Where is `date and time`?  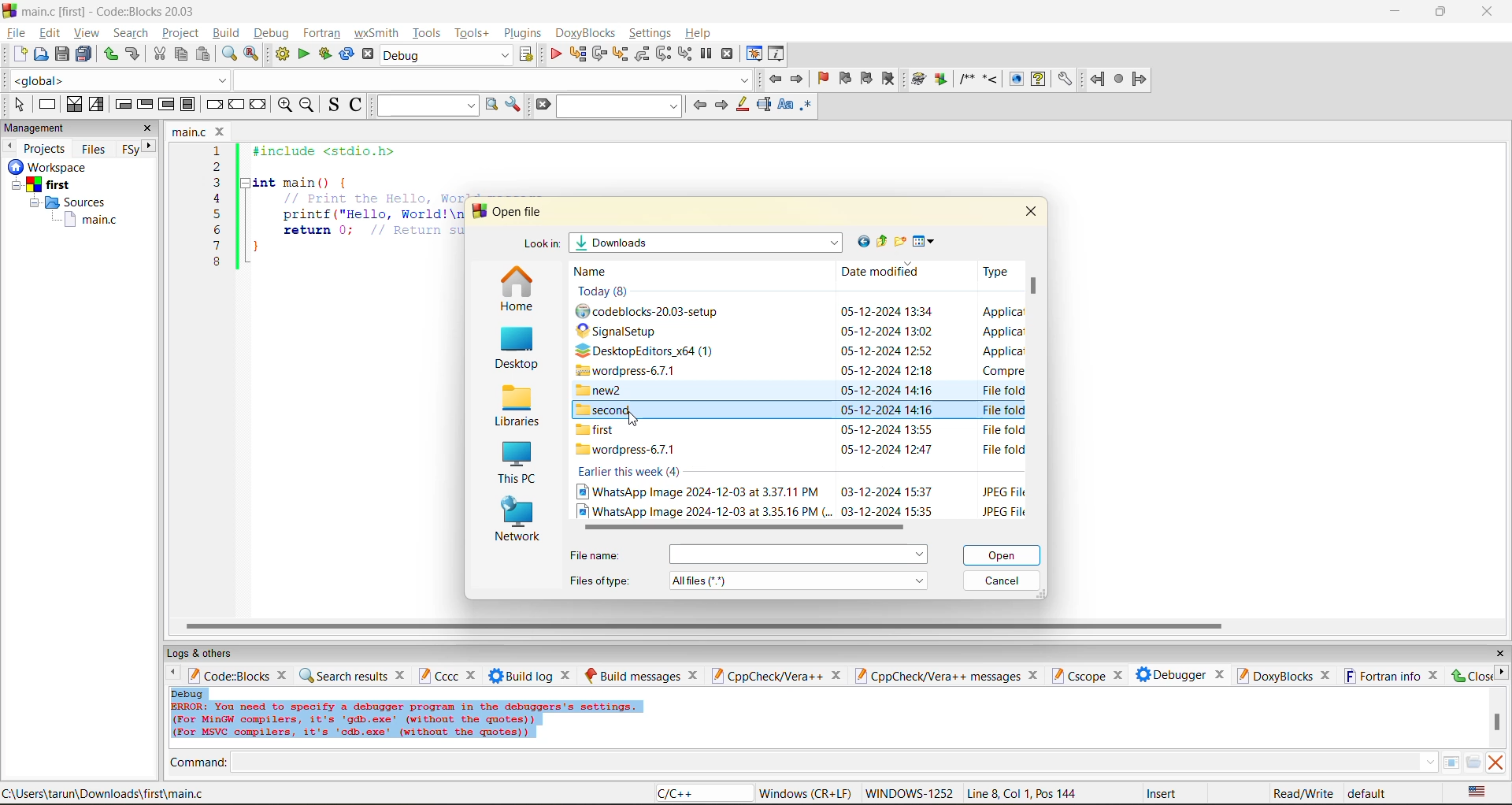 date and time is located at coordinates (887, 351).